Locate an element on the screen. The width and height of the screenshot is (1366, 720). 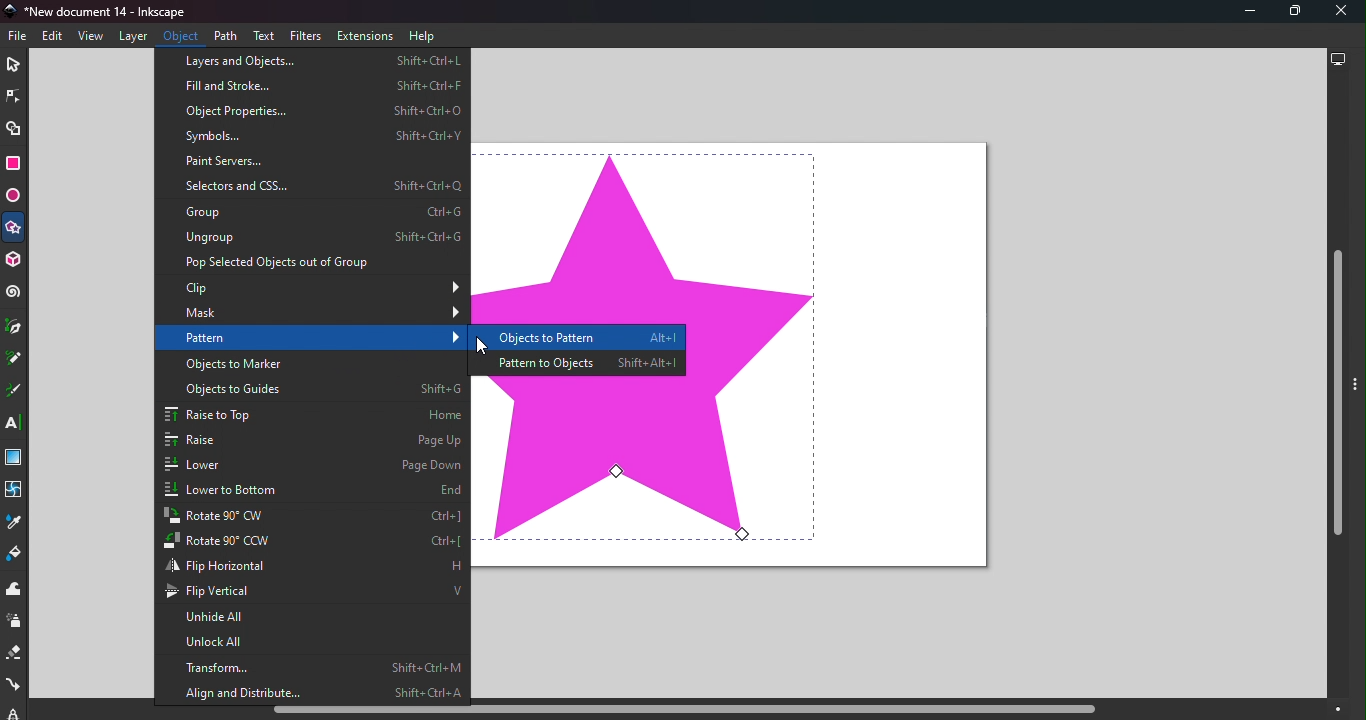
Symbols is located at coordinates (319, 135).